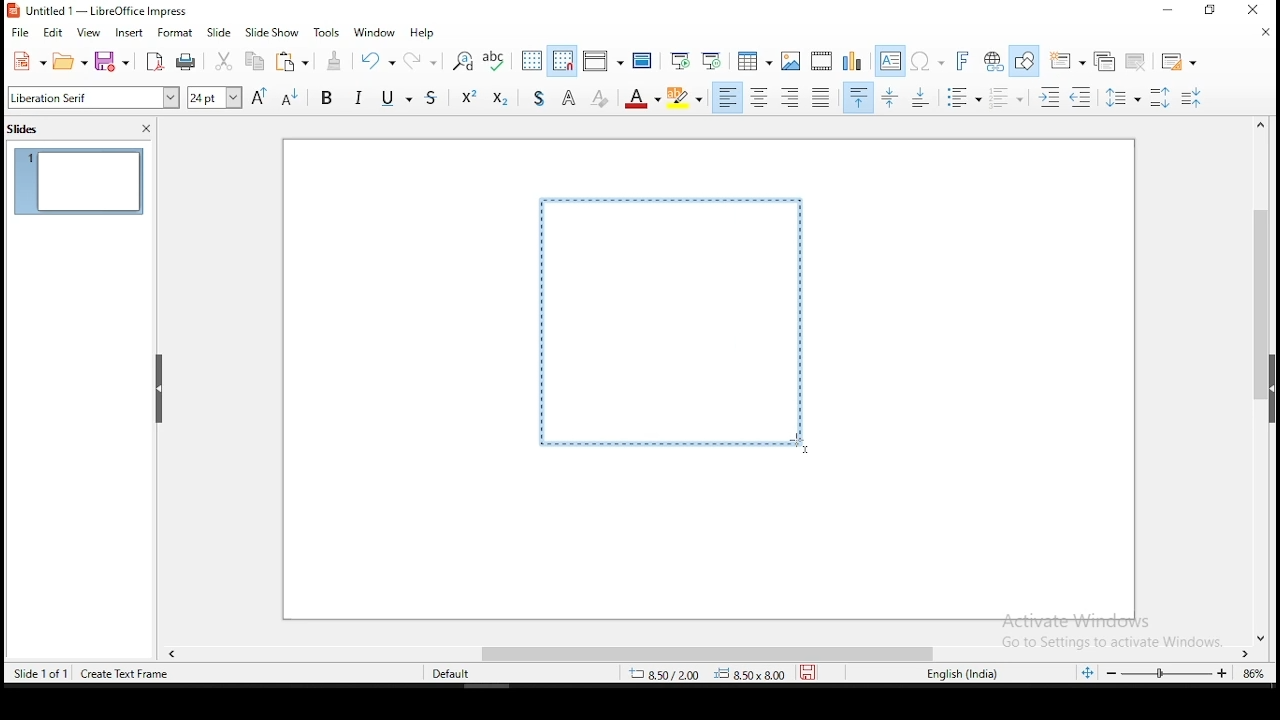 This screenshot has width=1280, height=720. I want to click on english (india), so click(959, 673).